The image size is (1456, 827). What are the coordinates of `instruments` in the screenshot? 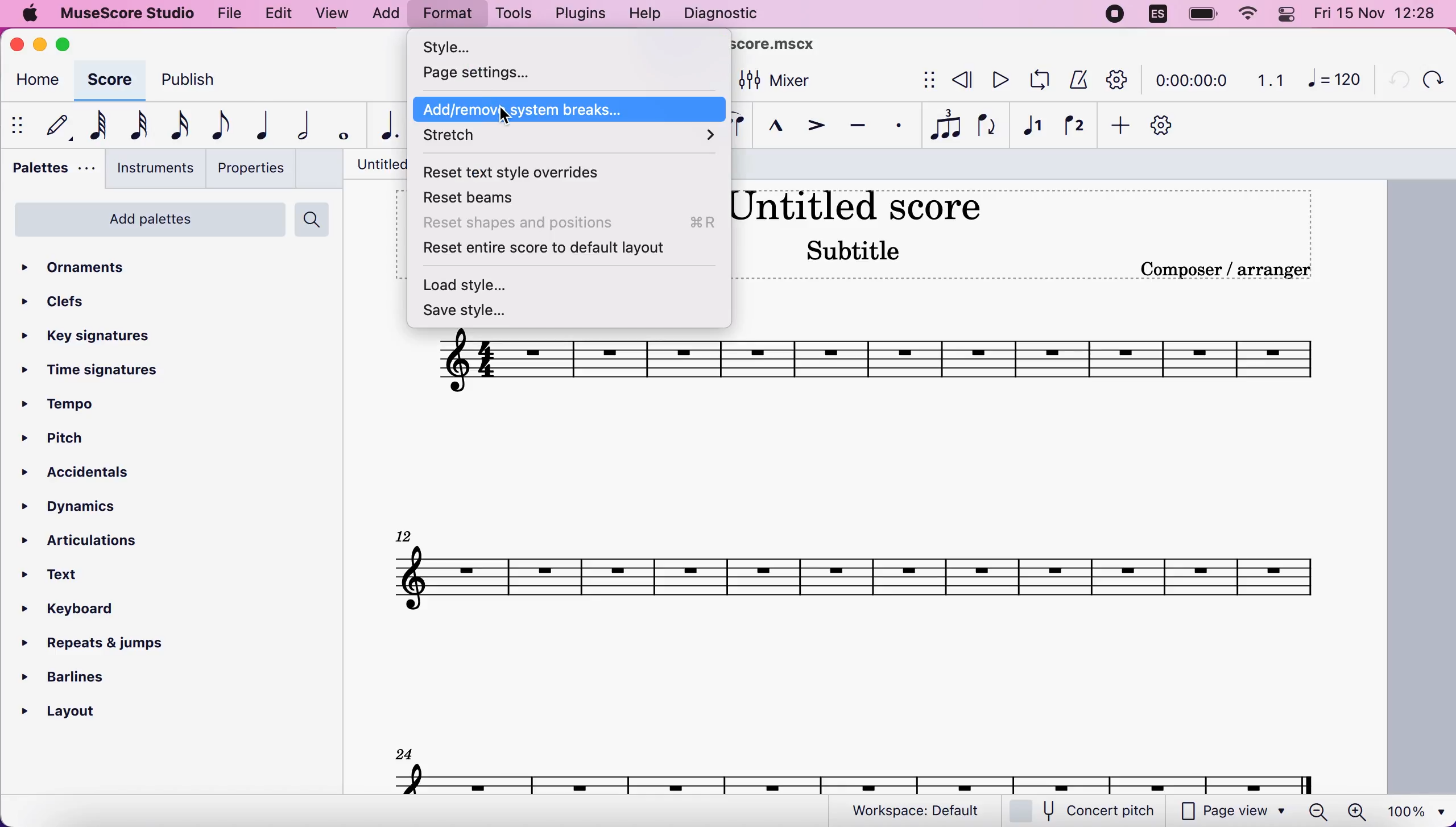 It's located at (151, 168).